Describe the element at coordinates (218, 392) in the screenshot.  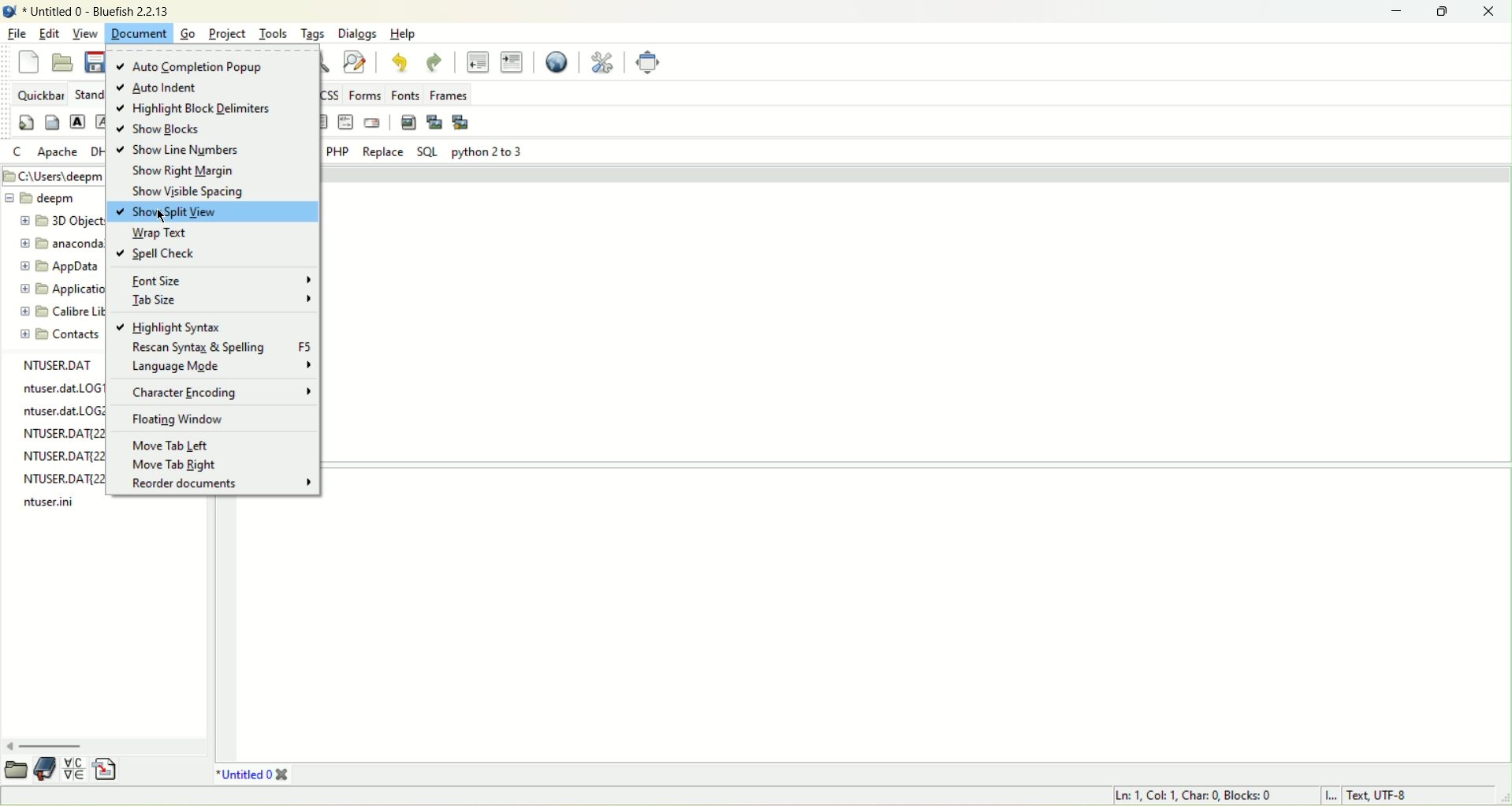
I see `character encoding` at that location.